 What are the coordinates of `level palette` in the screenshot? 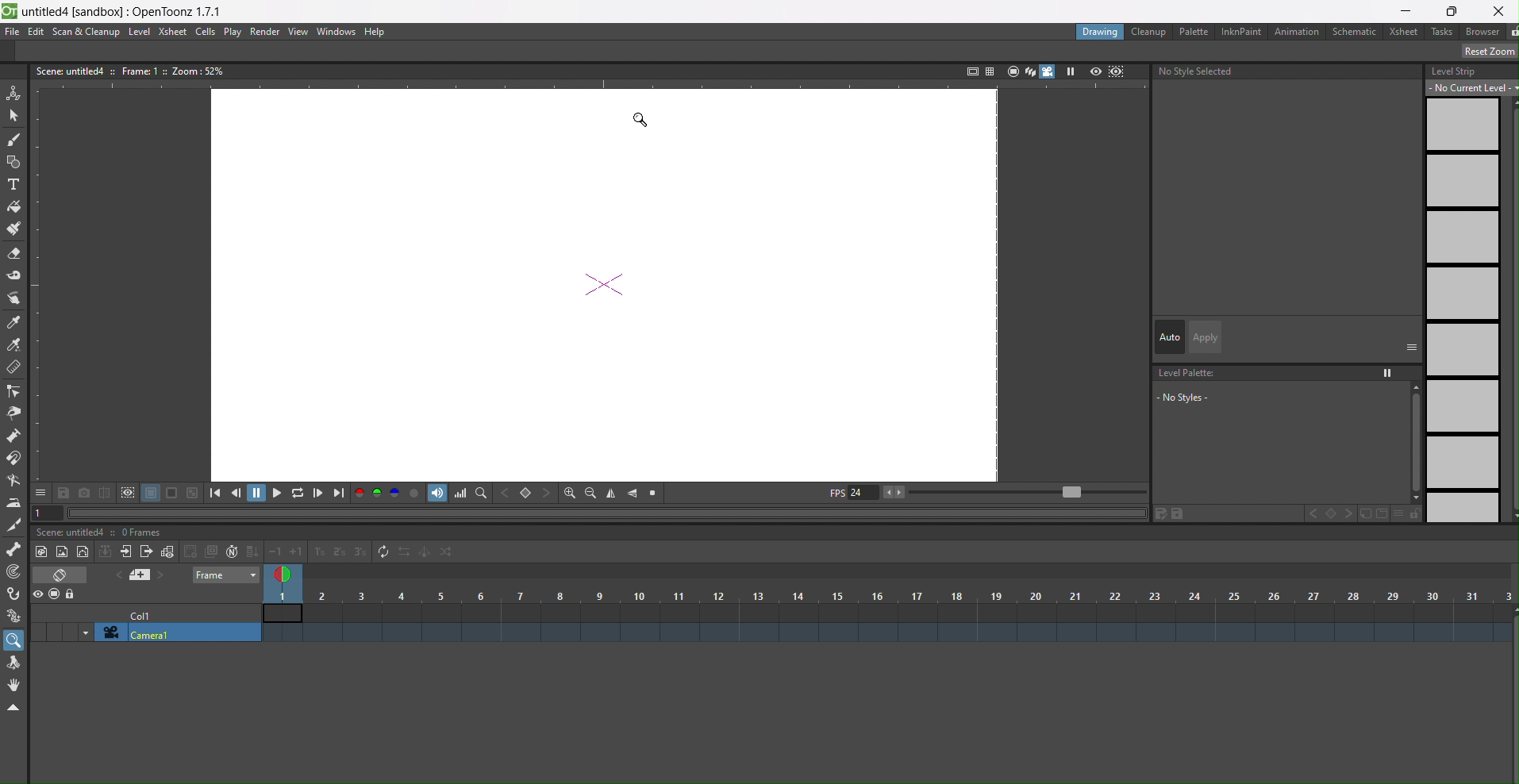 It's located at (1286, 402).